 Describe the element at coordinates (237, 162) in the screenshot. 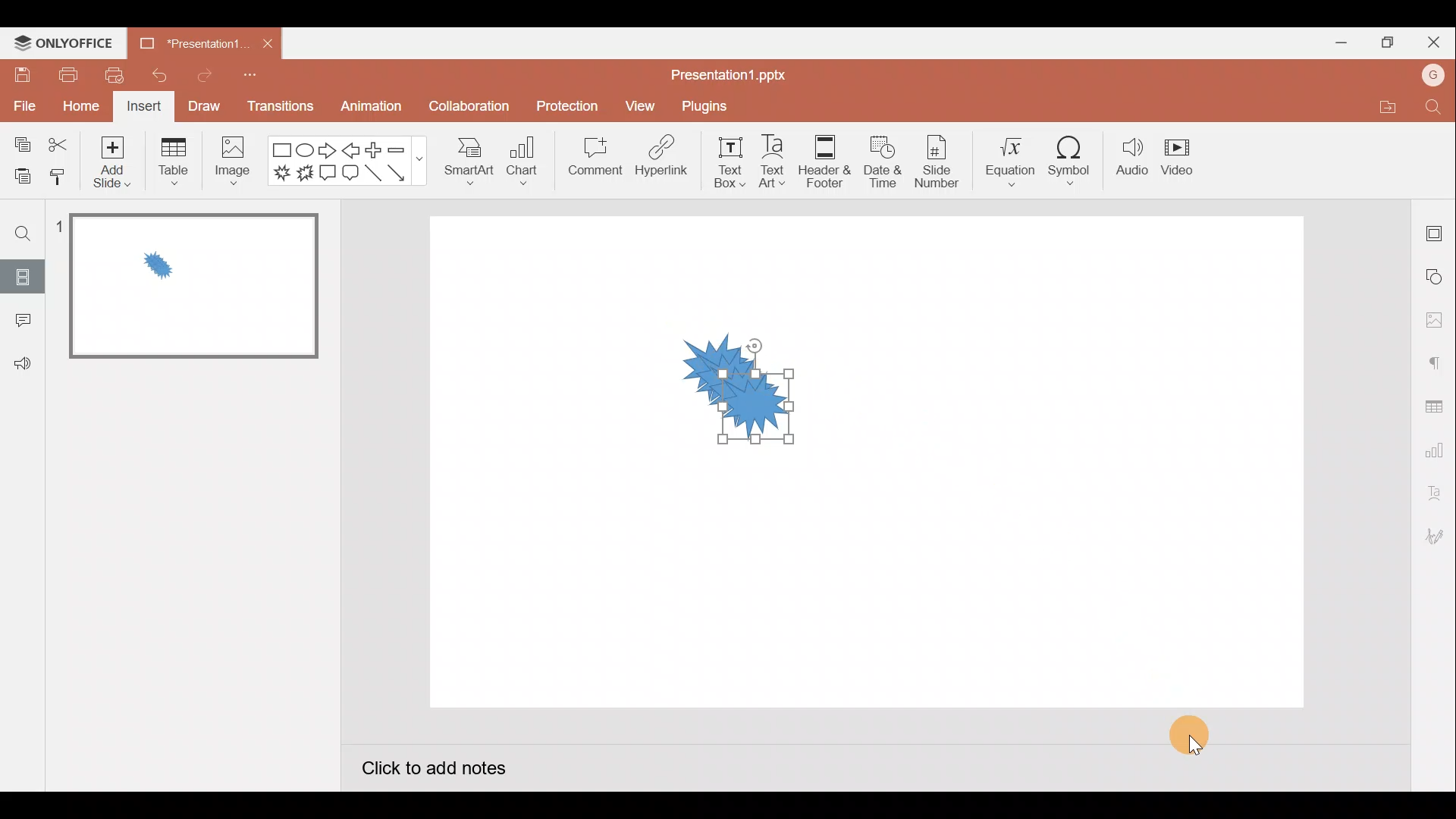

I see `Image` at that location.